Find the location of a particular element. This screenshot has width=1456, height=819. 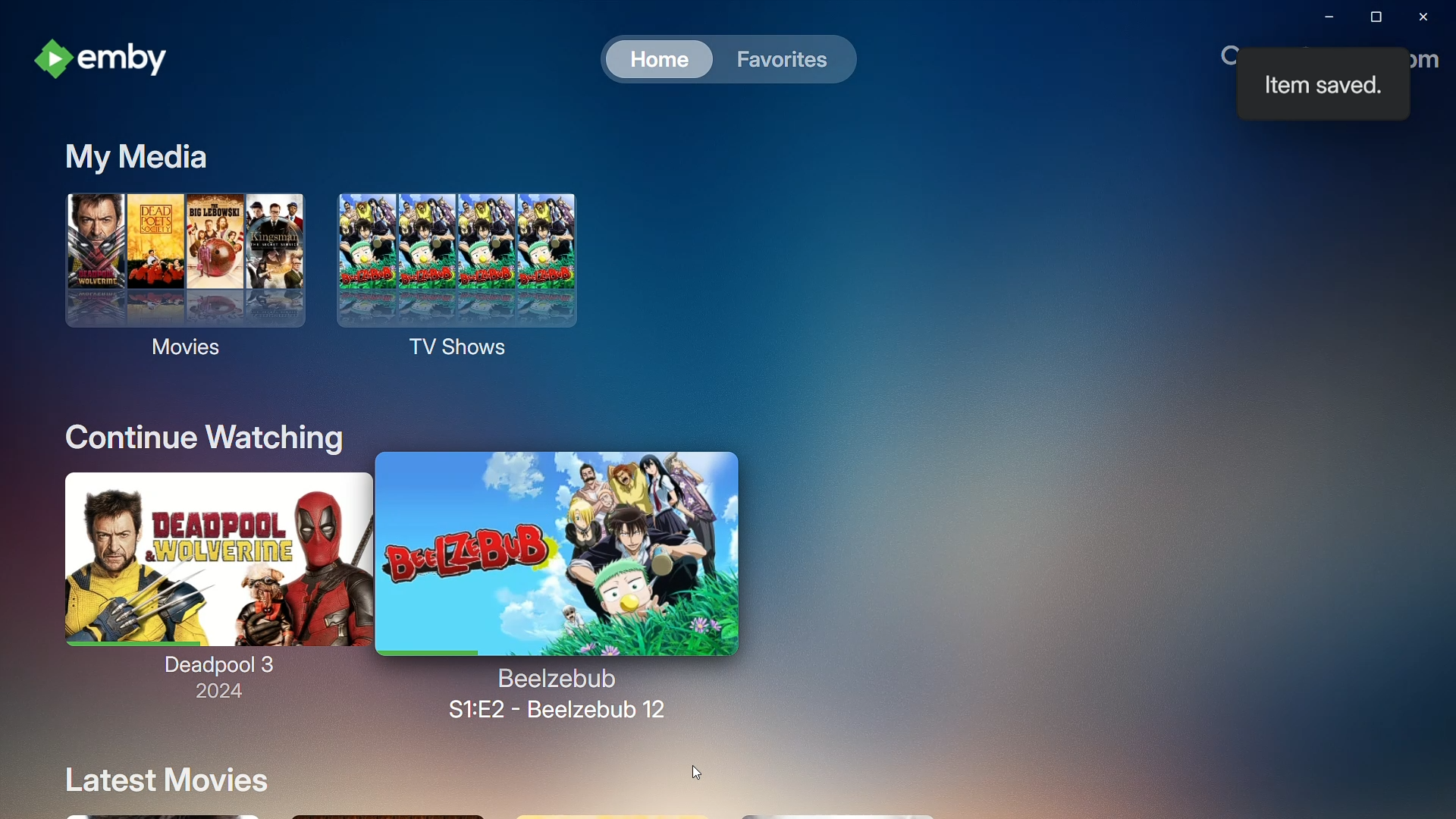

Minimize is located at coordinates (1318, 17).